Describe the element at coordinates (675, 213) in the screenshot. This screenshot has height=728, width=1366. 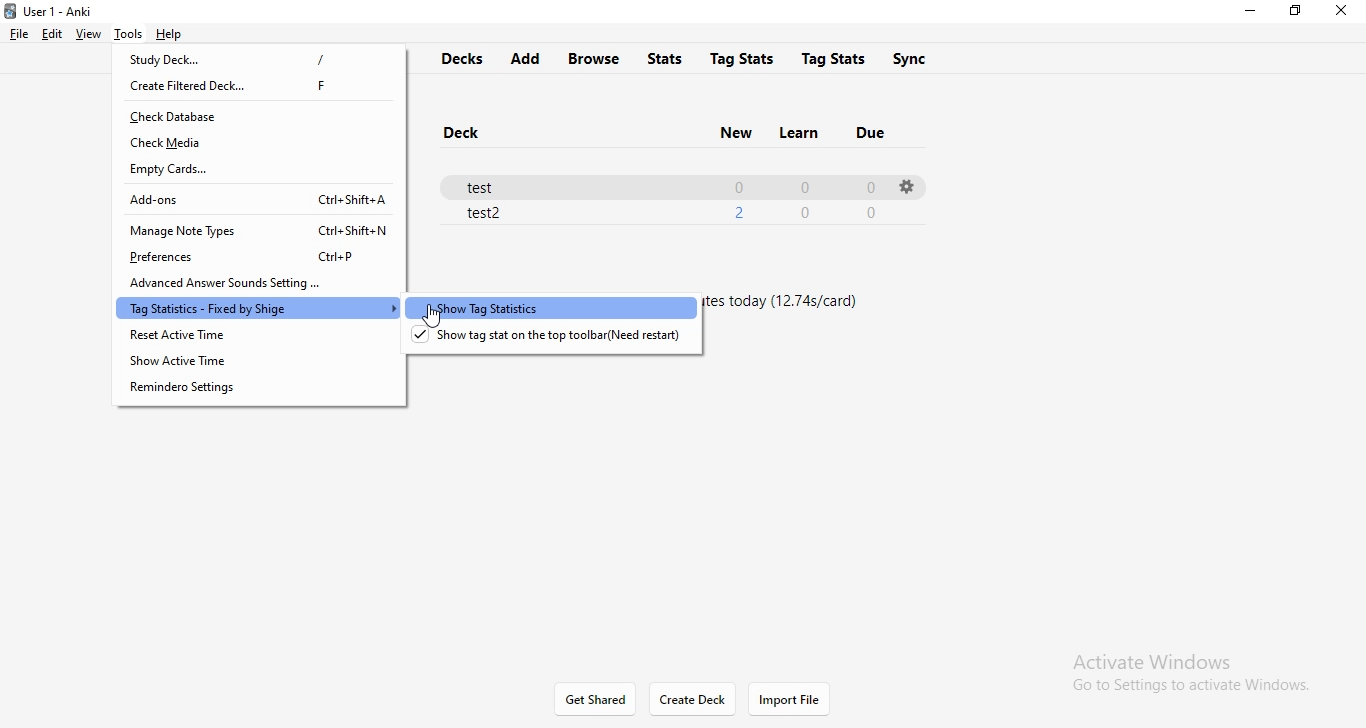
I see `test2` at that location.